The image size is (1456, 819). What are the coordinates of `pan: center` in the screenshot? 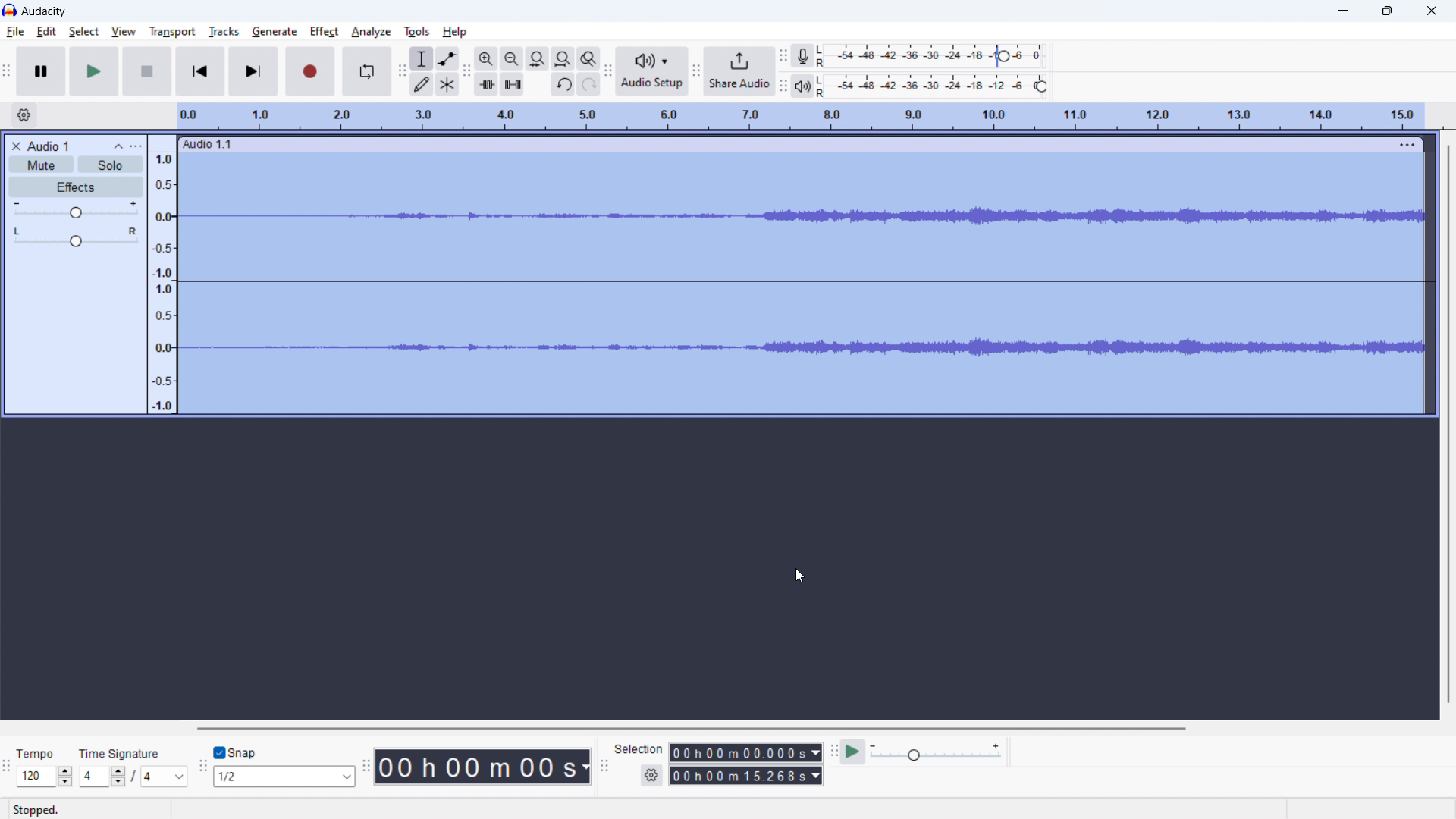 It's located at (77, 237).